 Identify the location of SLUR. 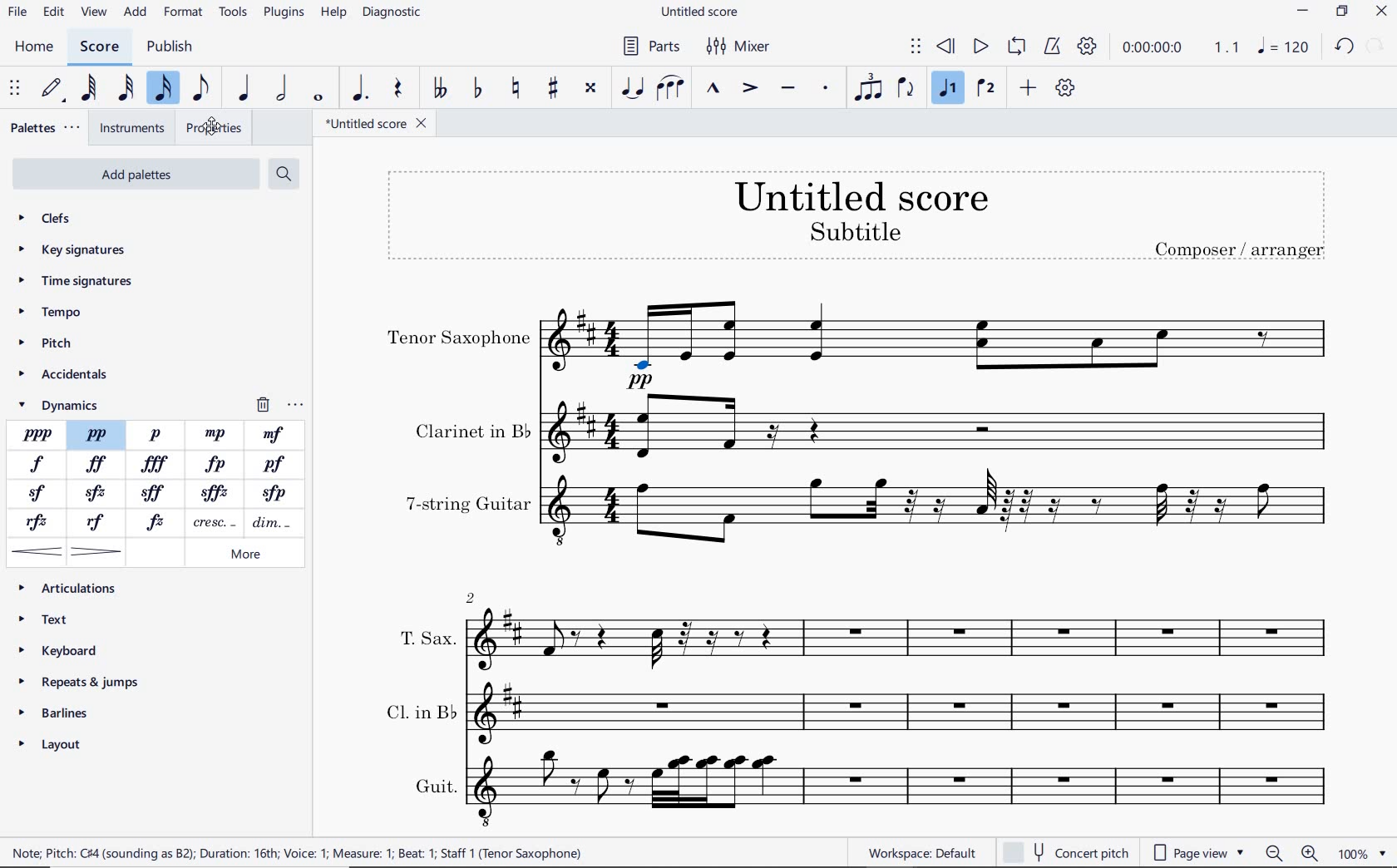
(673, 89).